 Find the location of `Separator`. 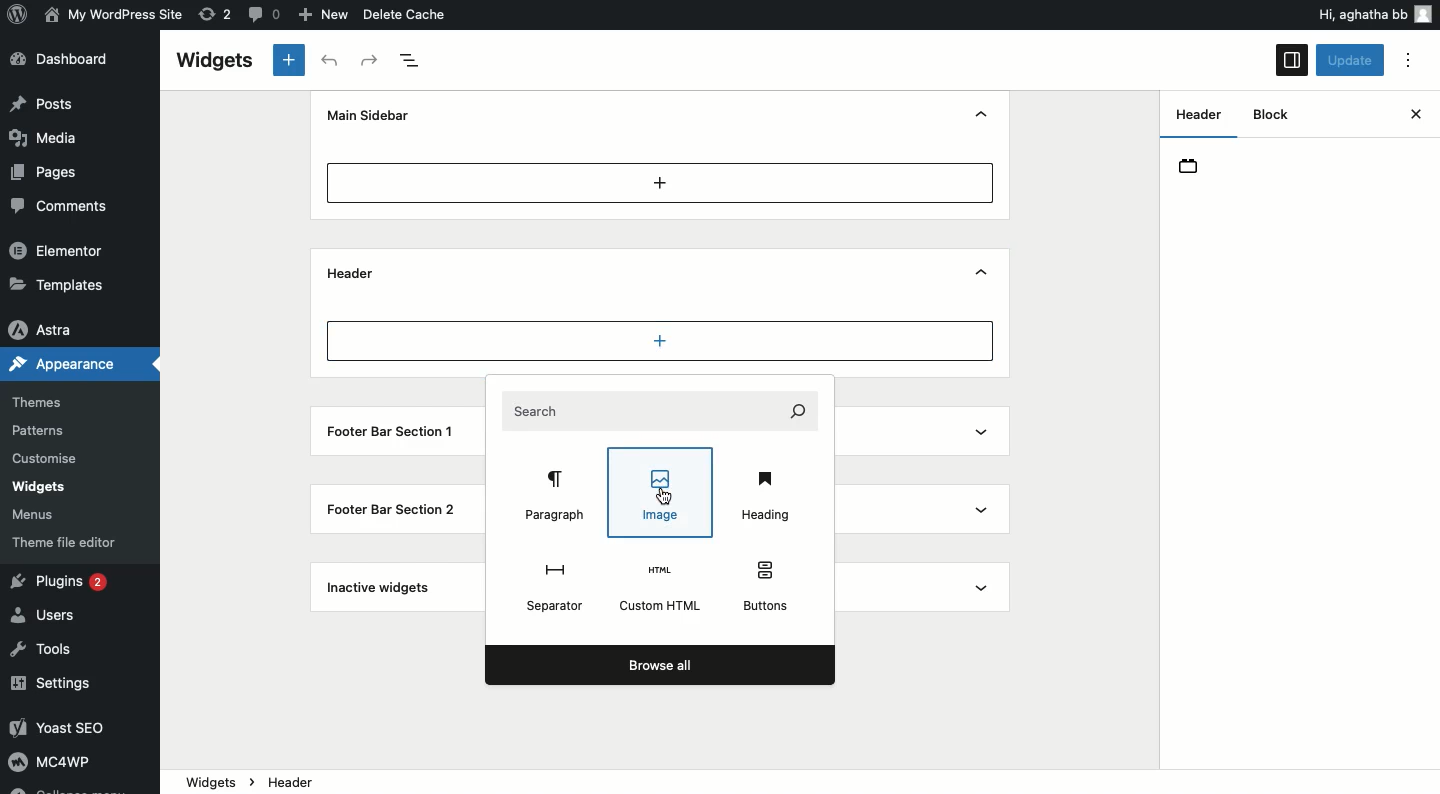

Separator is located at coordinates (554, 588).